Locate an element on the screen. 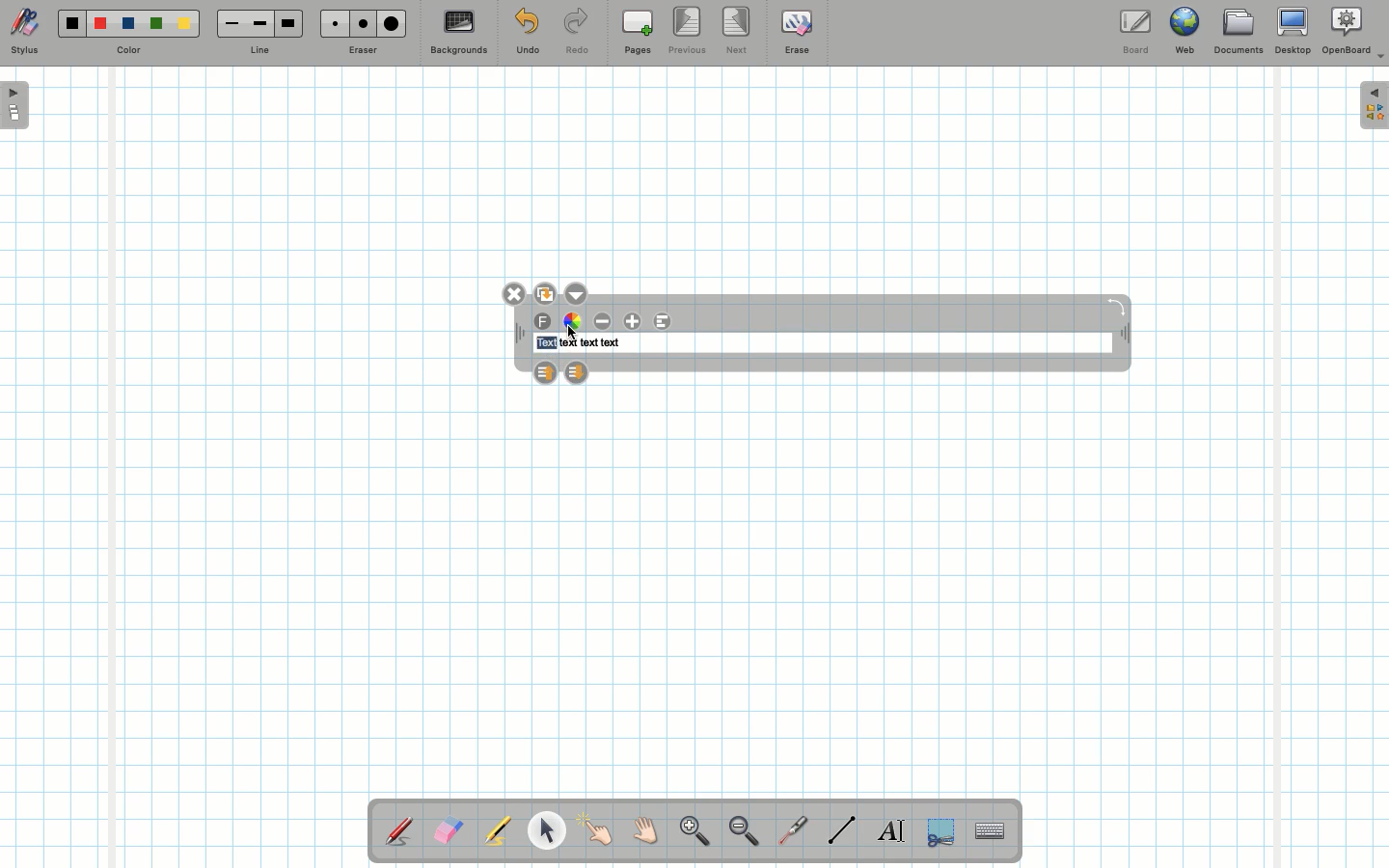 The width and height of the screenshot is (1389, 868). Stylus is located at coordinates (400, 830).